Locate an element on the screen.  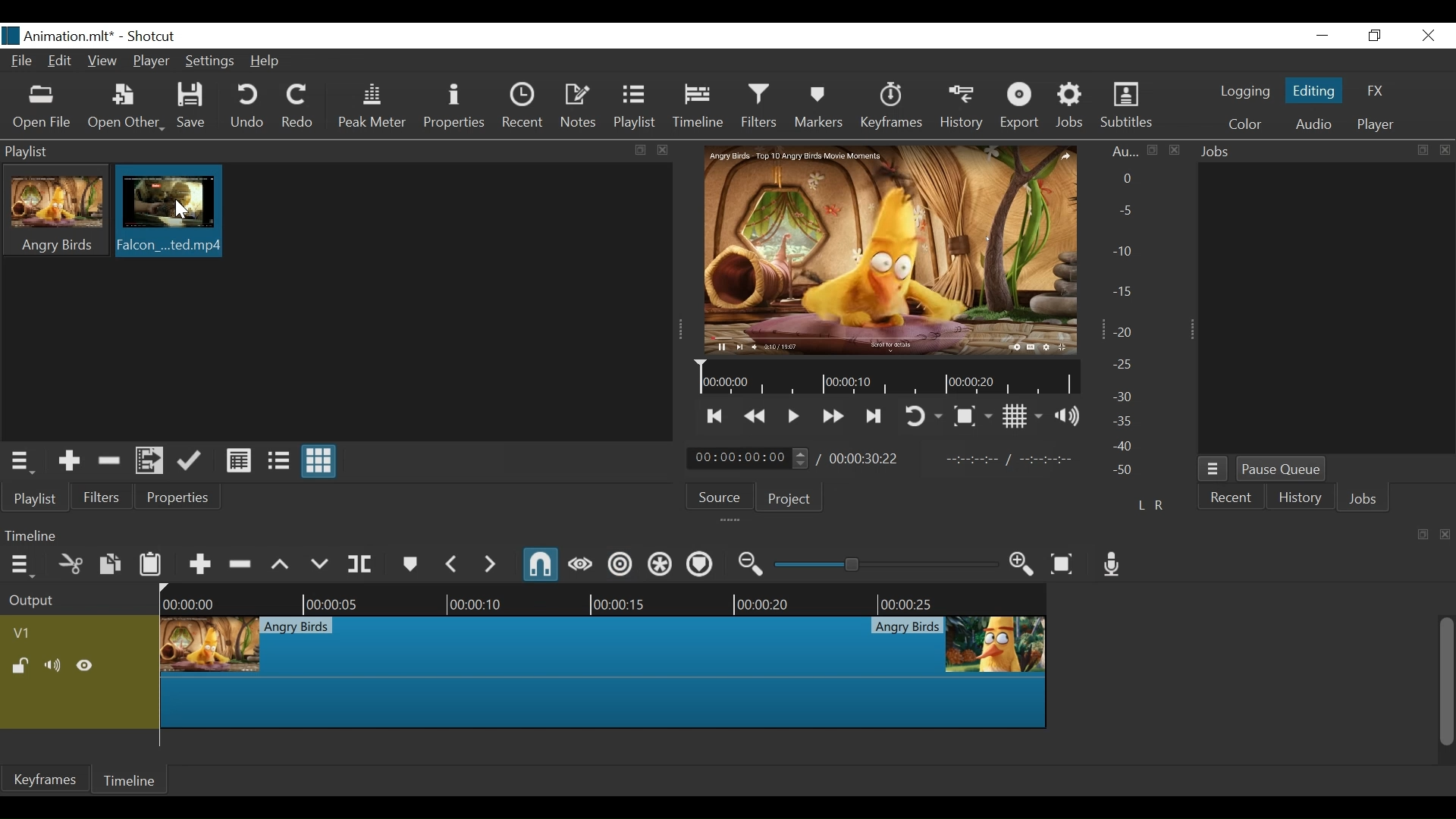
Marker is located at coordinates (409, 562).